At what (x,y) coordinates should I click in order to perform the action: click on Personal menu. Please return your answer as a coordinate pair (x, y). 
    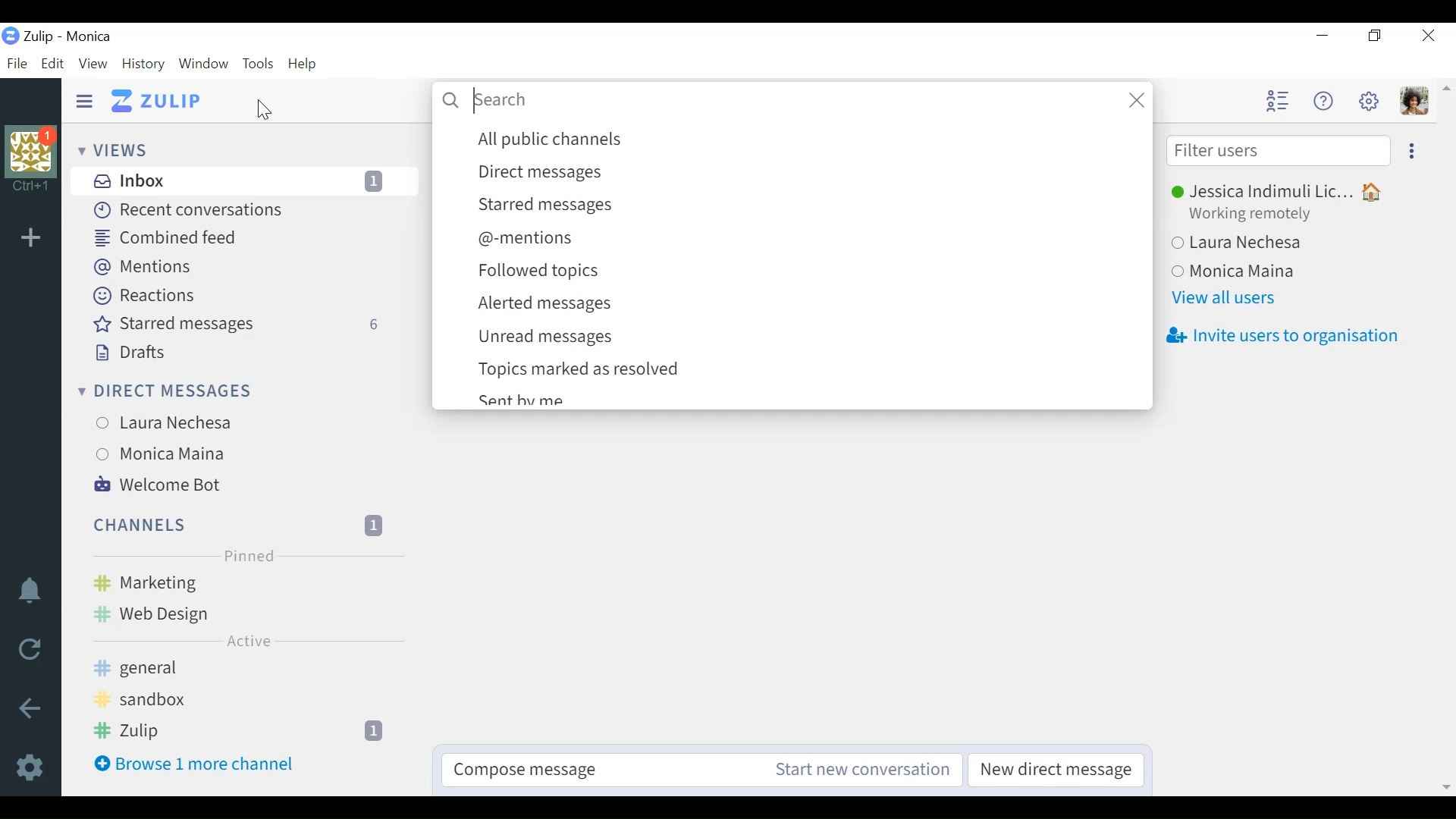
    Looking at the image, I should click on (1414, 101).